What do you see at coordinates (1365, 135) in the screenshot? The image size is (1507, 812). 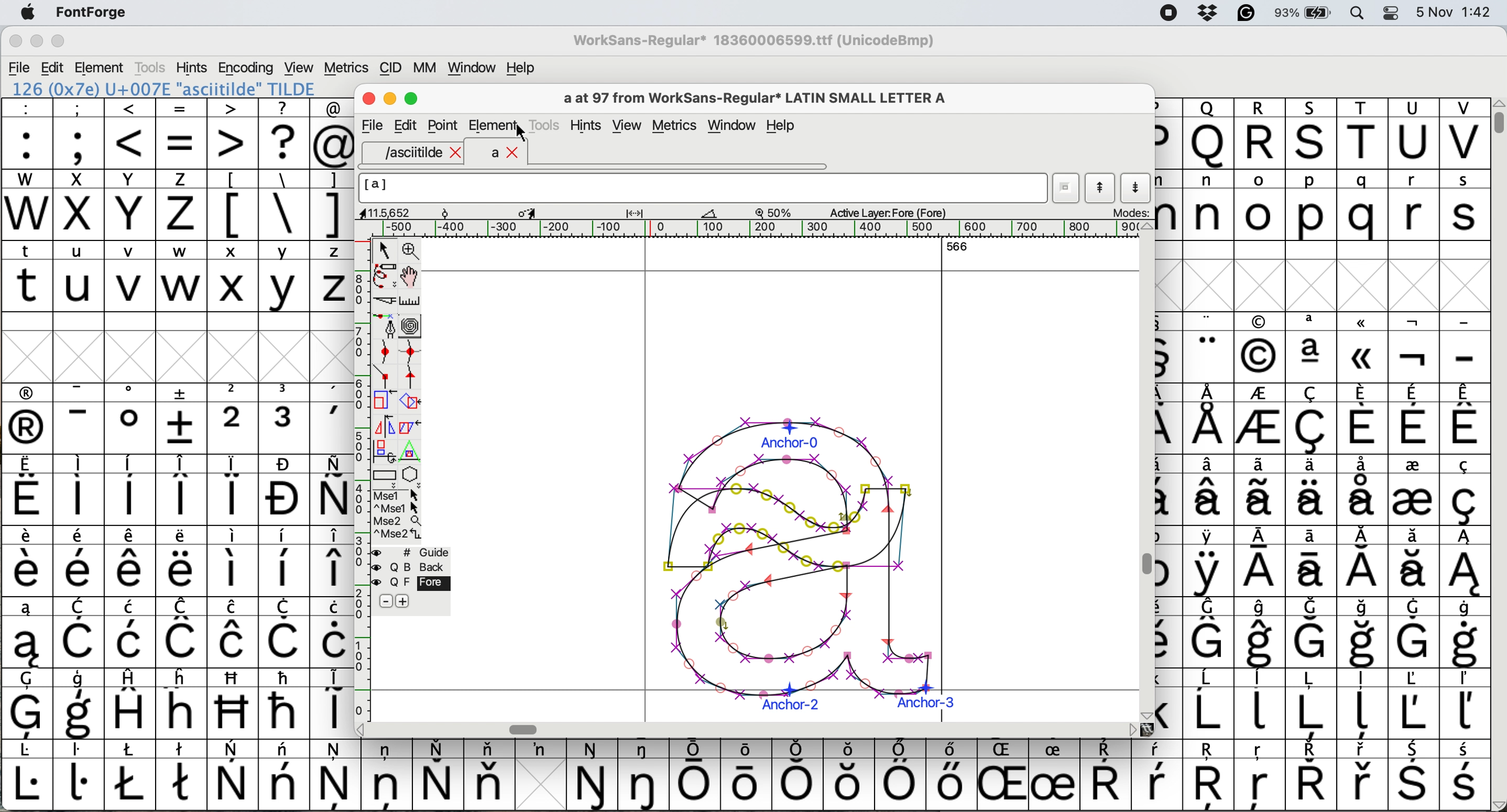 I see `T` at bounding box center [1365, 135].